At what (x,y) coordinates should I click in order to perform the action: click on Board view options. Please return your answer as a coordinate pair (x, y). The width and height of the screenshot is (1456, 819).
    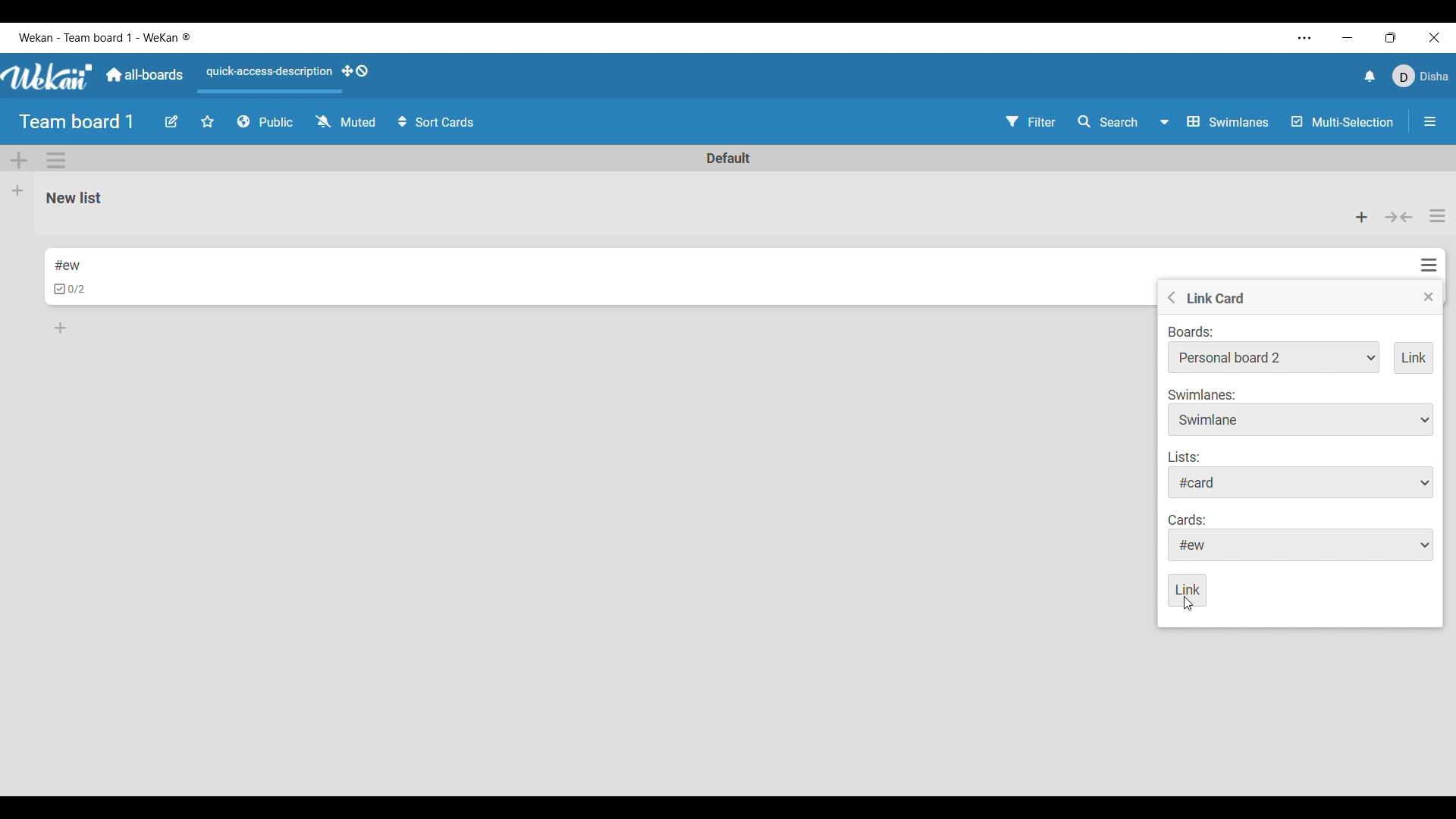
    Looking at the image, I should click on (1214, 121).